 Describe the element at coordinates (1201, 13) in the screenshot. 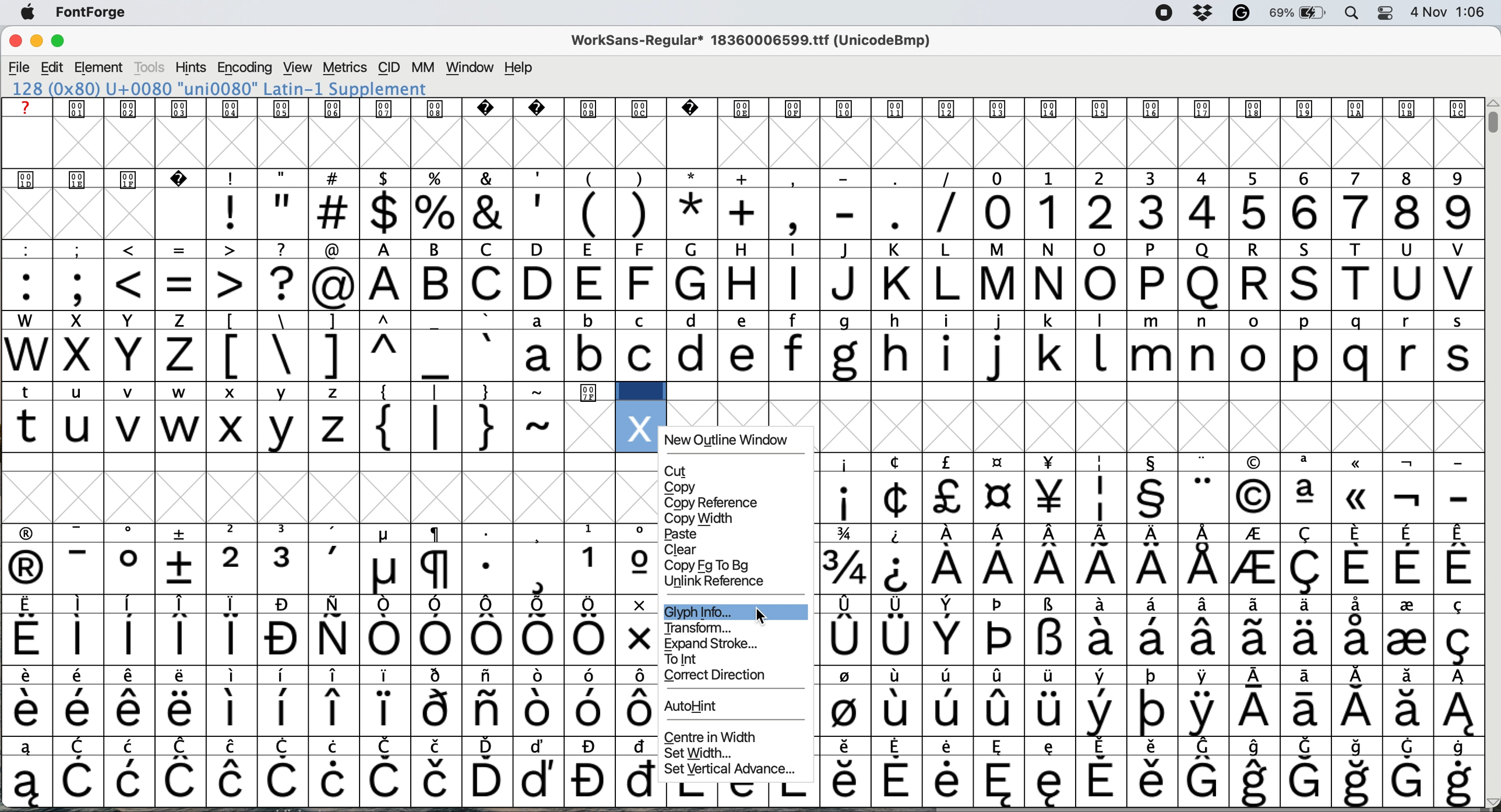

I see `dropbox` at that location.